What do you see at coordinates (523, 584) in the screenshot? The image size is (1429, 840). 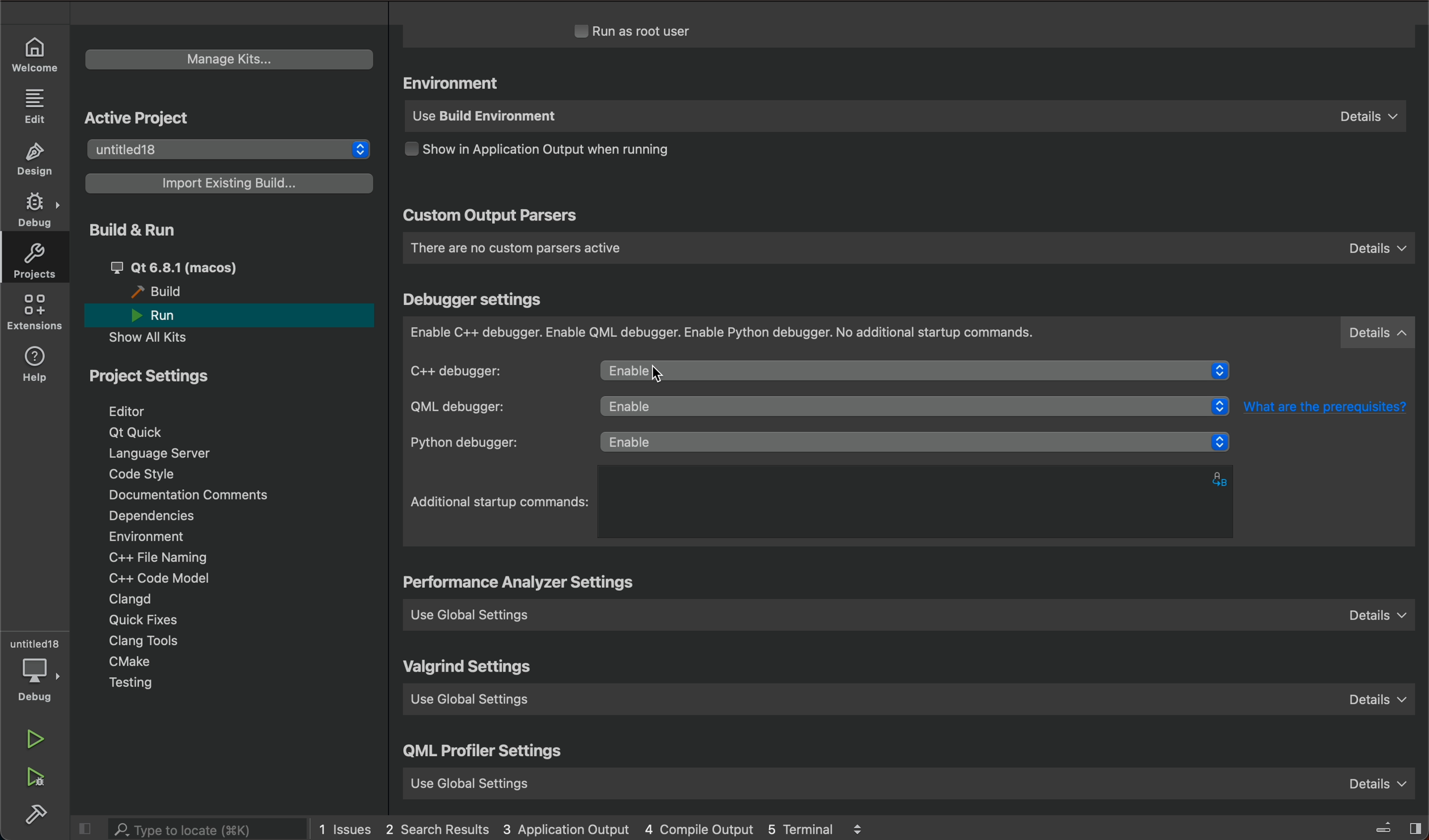 I see `settings` at bounding box center [523, 584].